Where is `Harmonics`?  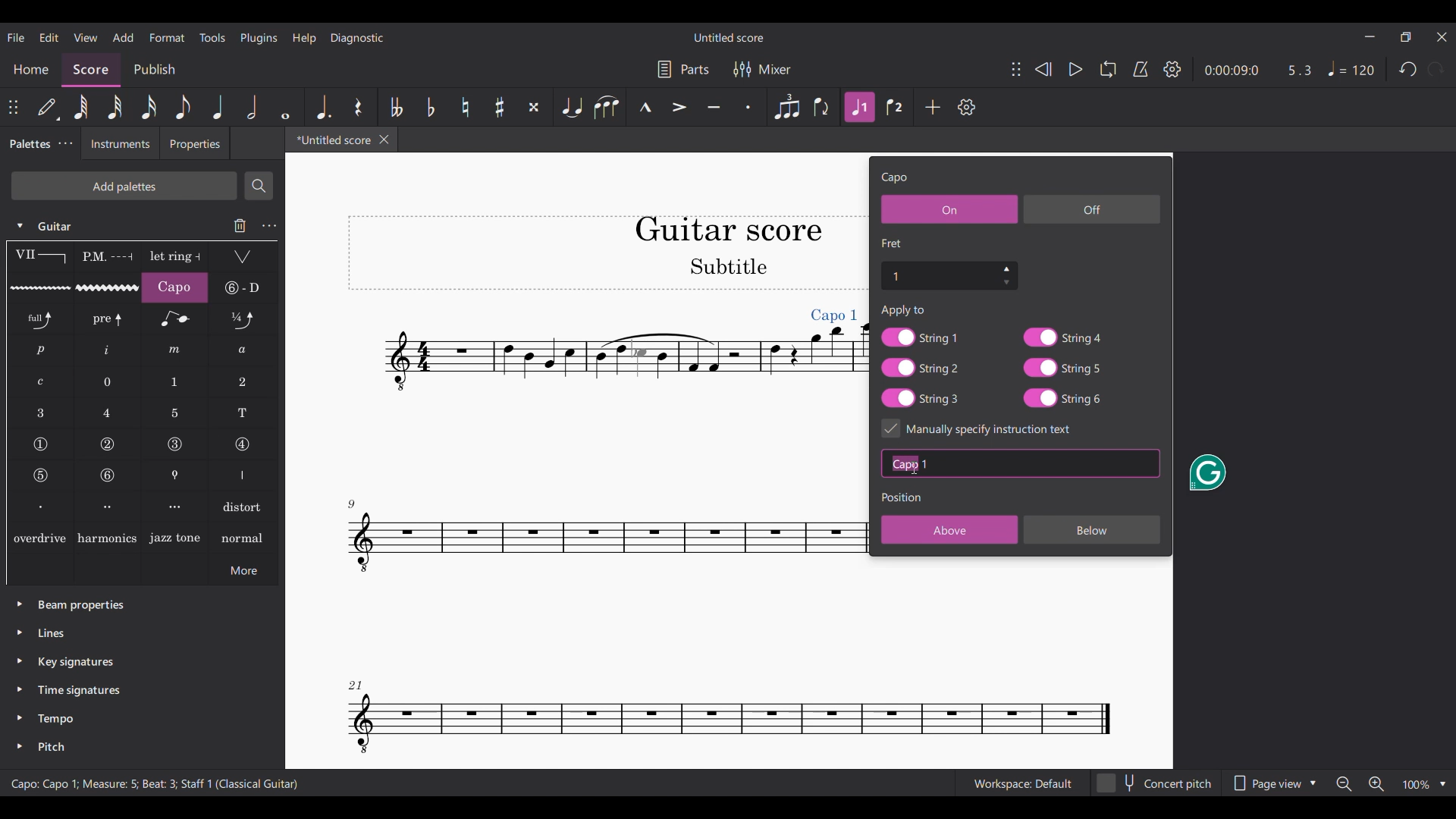
Harmonics is located at coordinates (107, 537).